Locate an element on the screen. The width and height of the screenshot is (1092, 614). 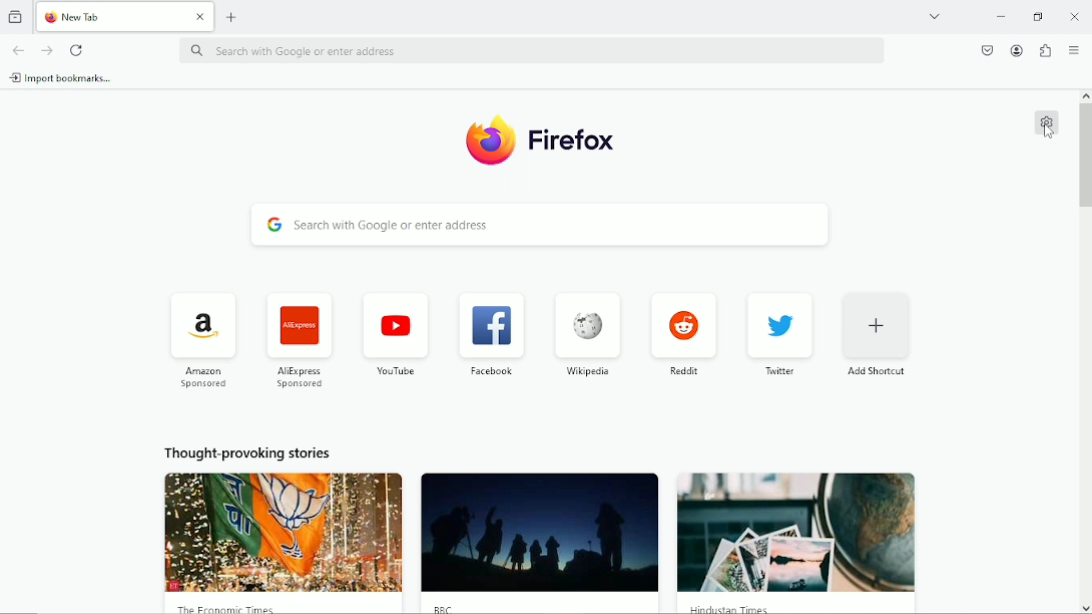
Thought provoking story is located at coordinates (283, 542).